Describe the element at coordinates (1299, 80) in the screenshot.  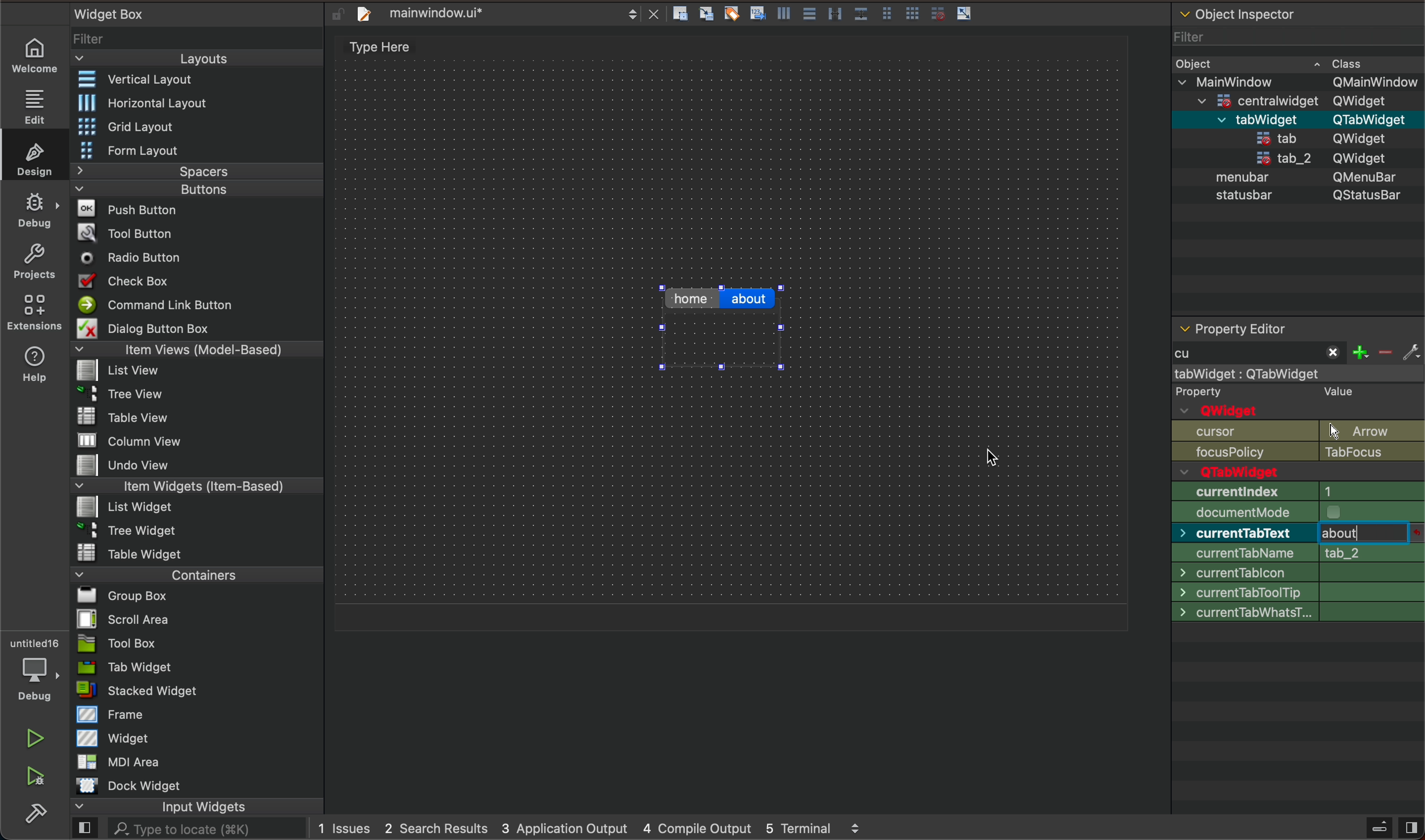
I see `v MainWindow OMainWindow` at that location.